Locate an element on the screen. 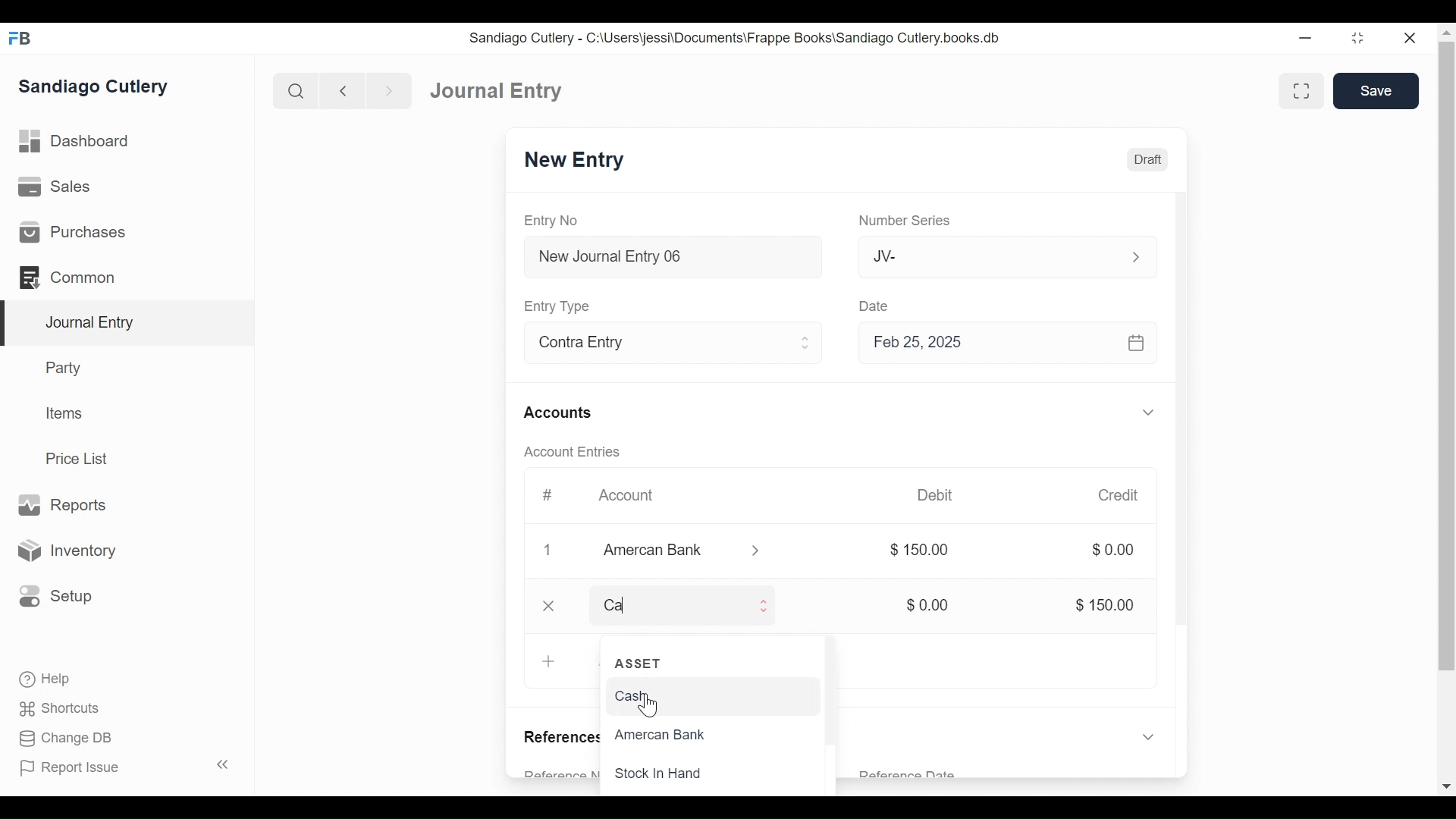  Date is located at coordinates (877, 306).